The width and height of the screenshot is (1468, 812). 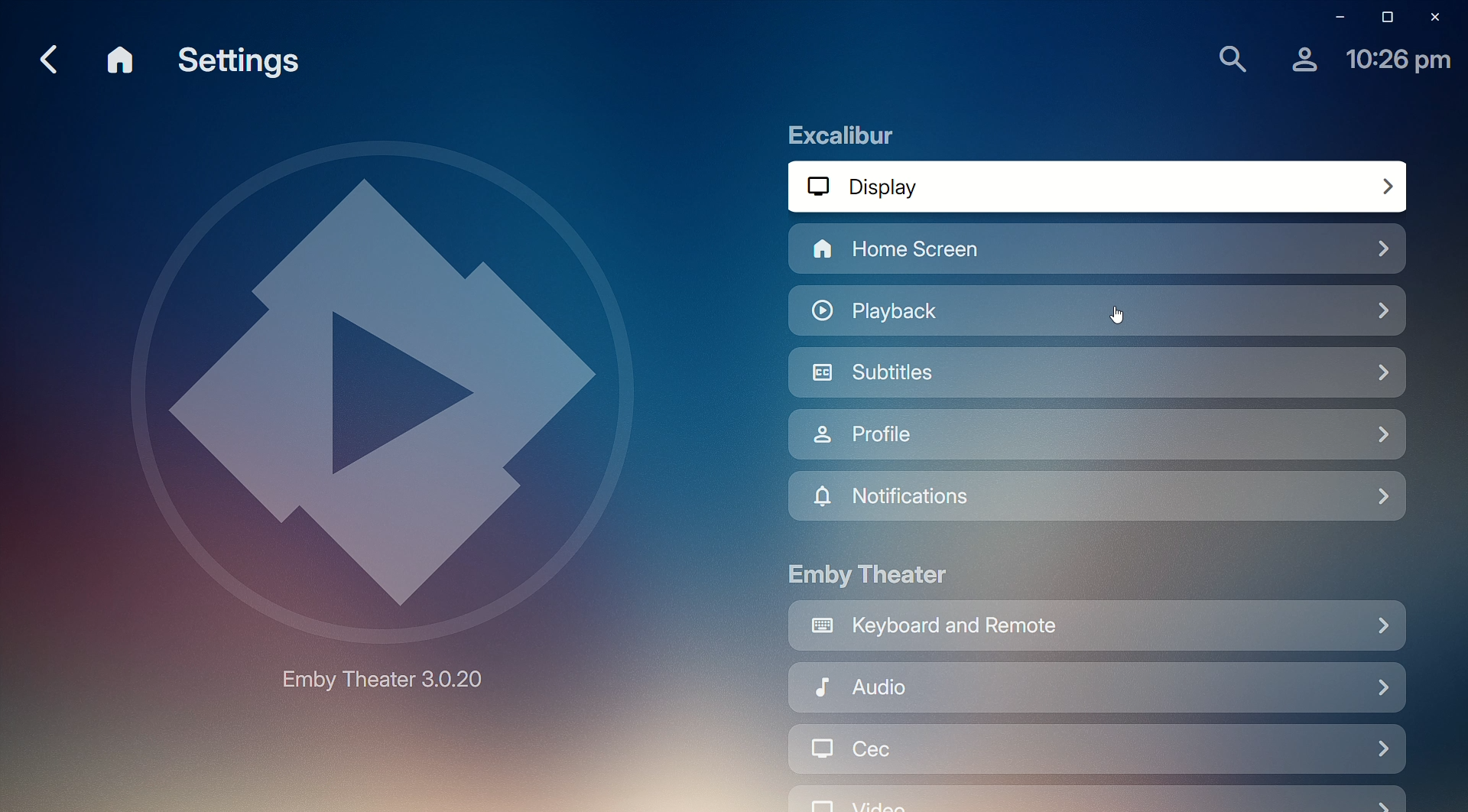 I want to click on Account, so click(x=1301, y=59).